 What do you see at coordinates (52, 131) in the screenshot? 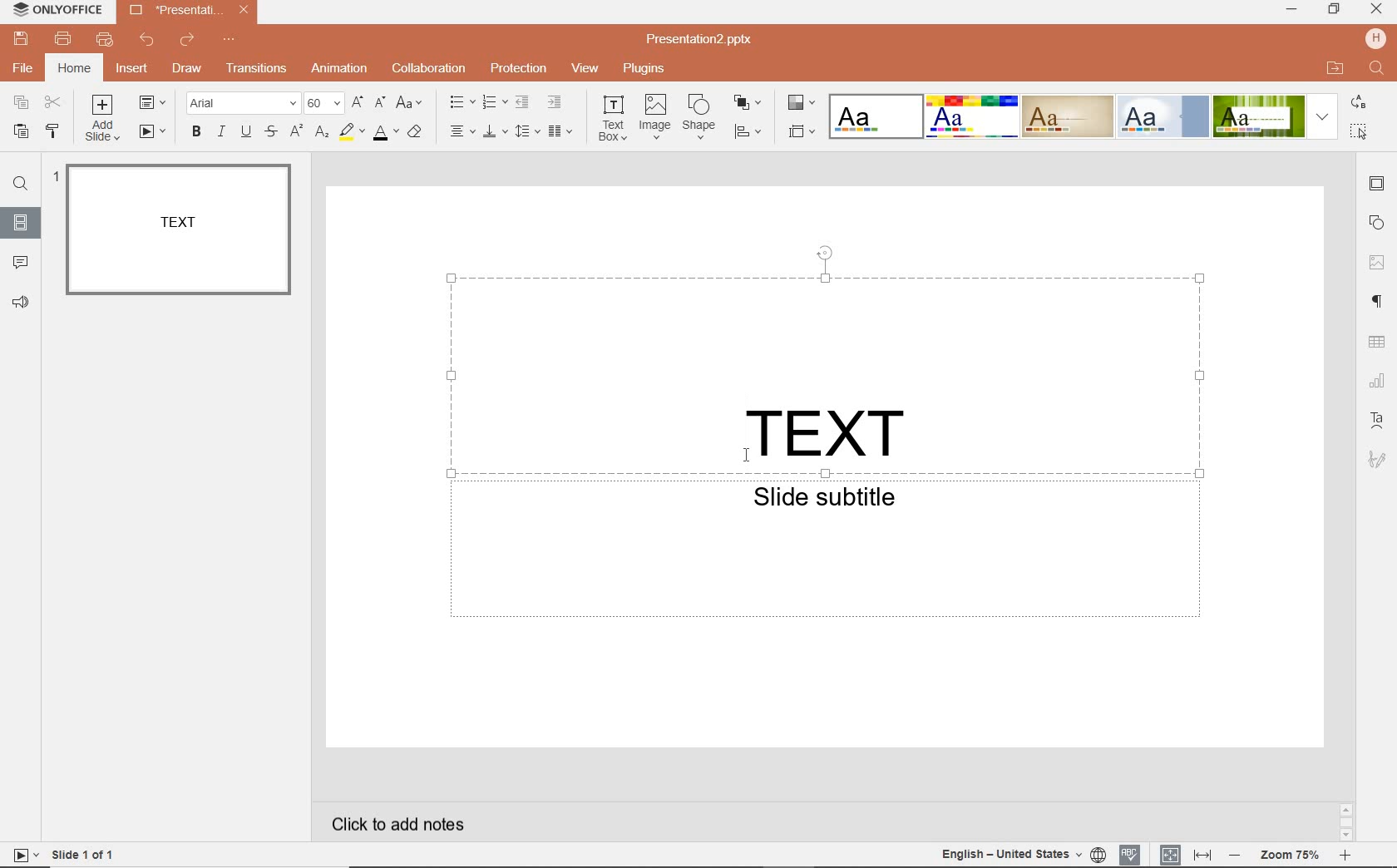
I see `COPY STYLE` at bounding box center [52, 131].